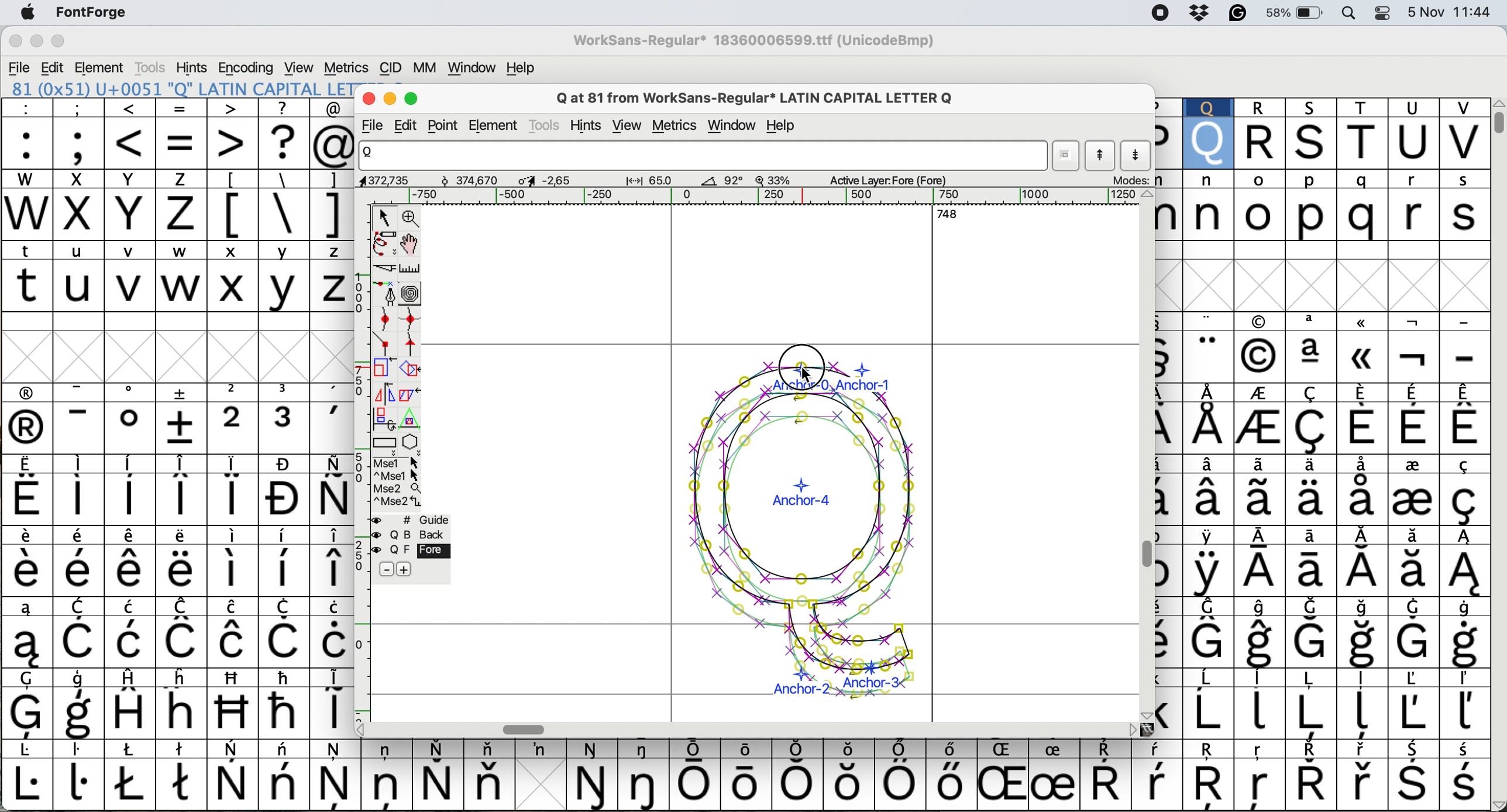 The width and height of the screenshot is (1507, 812). Describe the element at coordinates (183, 112) in the screenshot. I see `special characters` at that location.